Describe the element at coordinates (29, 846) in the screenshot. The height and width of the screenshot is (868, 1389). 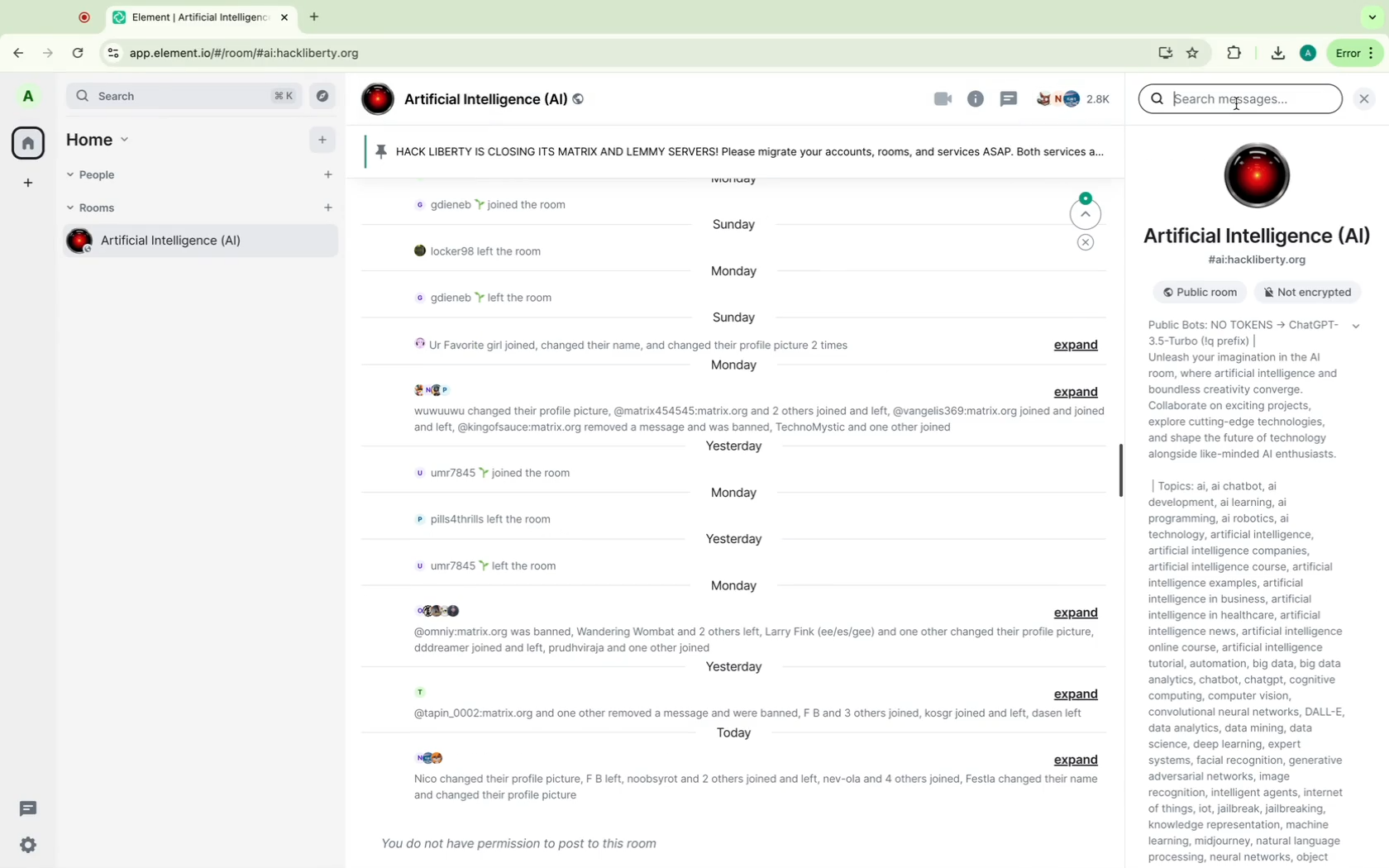
I see `quick settings` at that location.